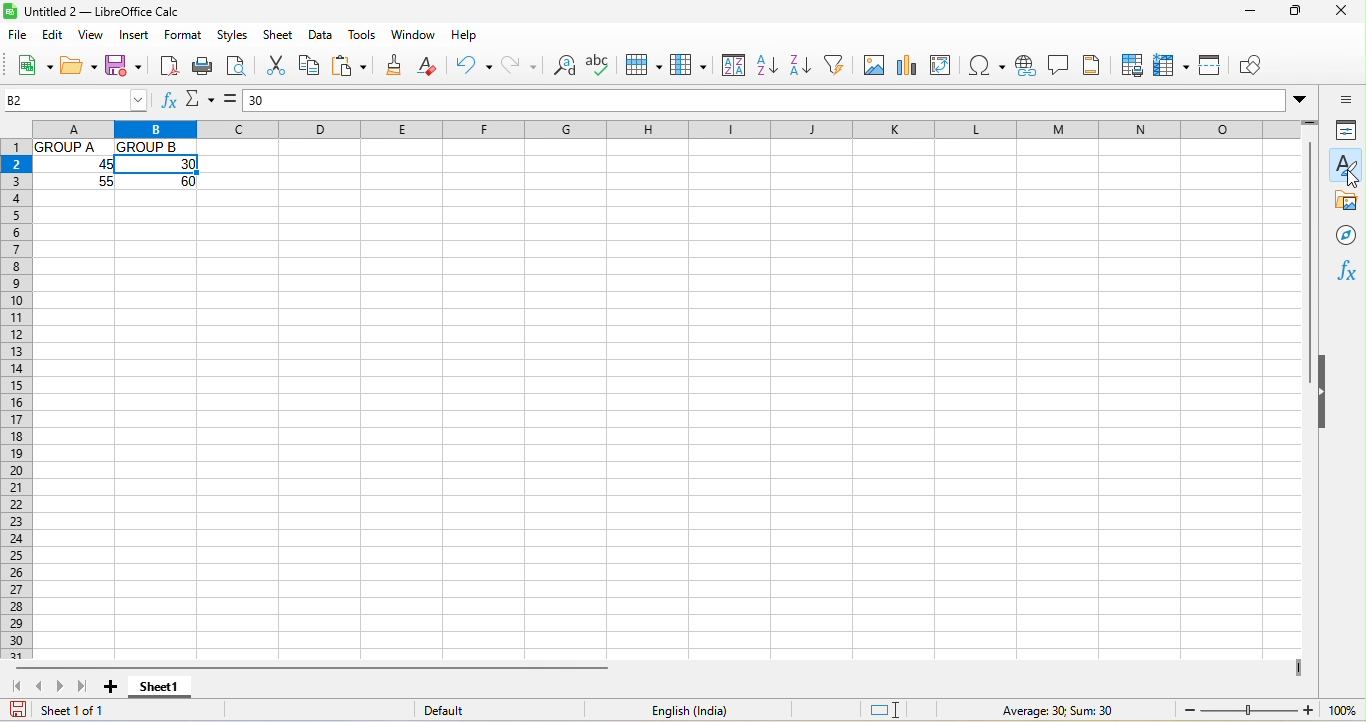  I want to click on special character, so click(986, 65).